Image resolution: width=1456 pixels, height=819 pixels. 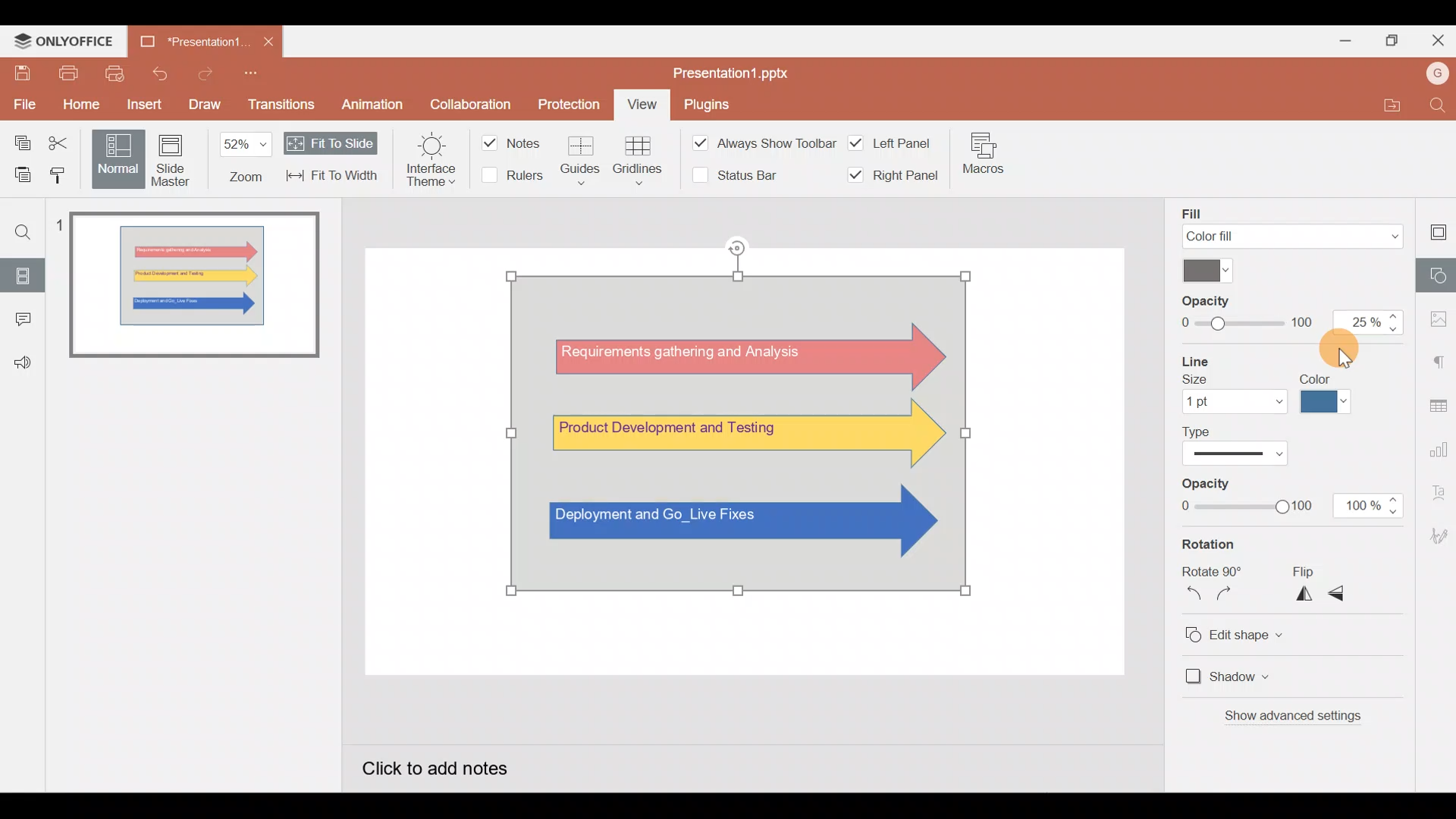 What do you see at coordinates (140, 102) in the screenshot?
I see `Insert` at bounding box center [140, 102].